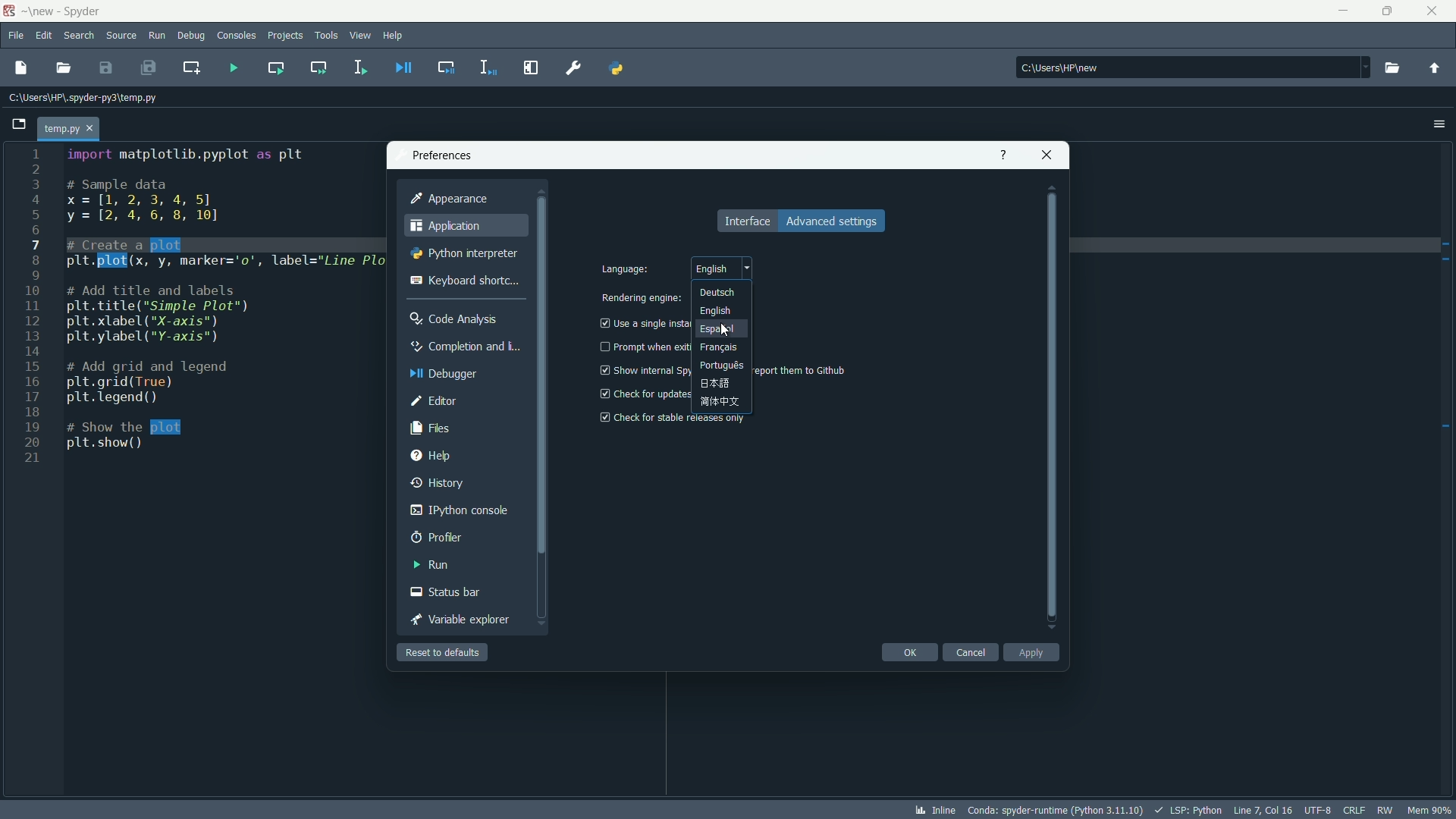 This screenshot has height=819, width=1456. What do you see at coordinates (1344, 11) in the screenshot?
I see `minimize` at bounding box center [1344, 11].